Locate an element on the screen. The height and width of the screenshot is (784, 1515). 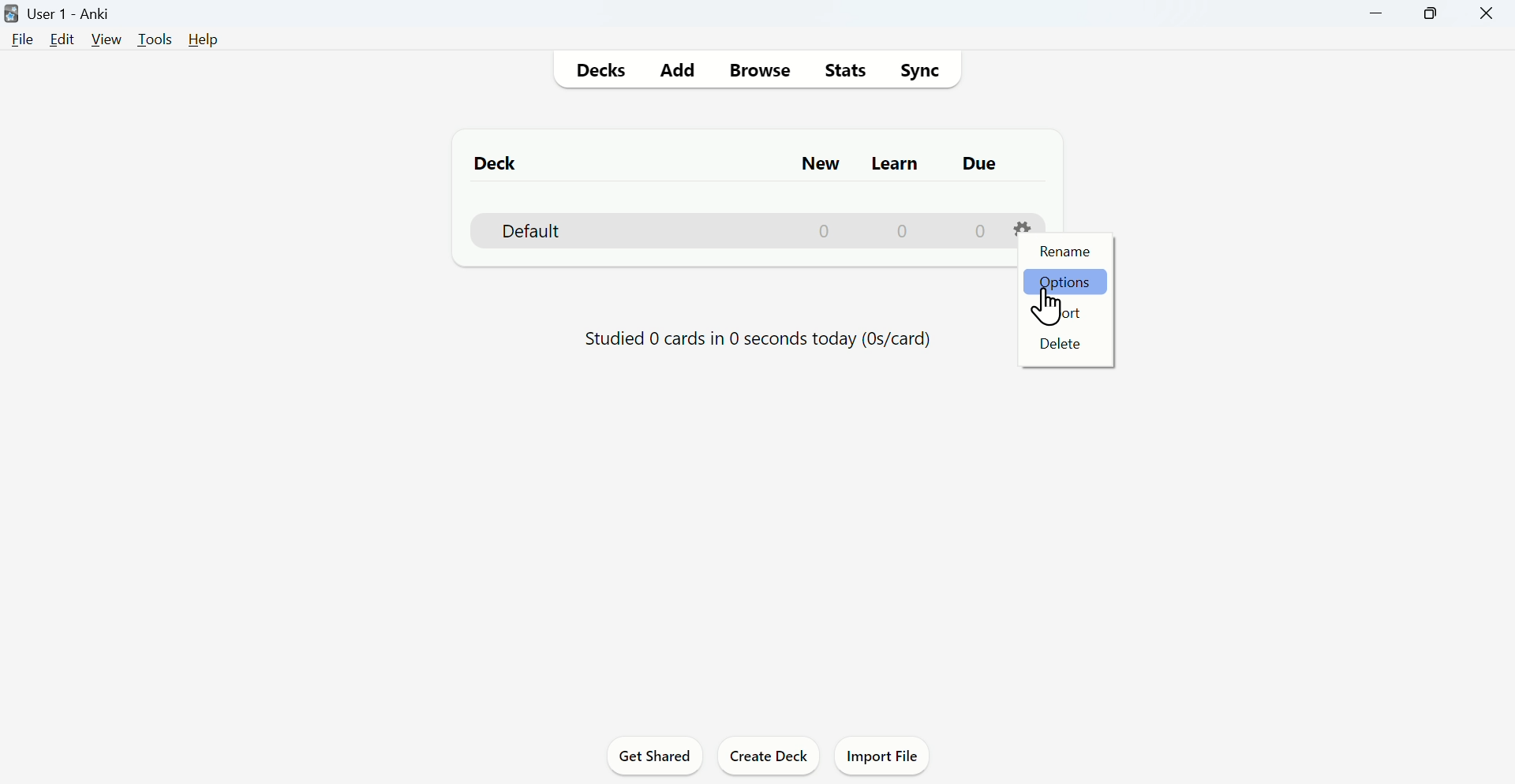
User 1 - Anki is located at coordinates (61, 14).